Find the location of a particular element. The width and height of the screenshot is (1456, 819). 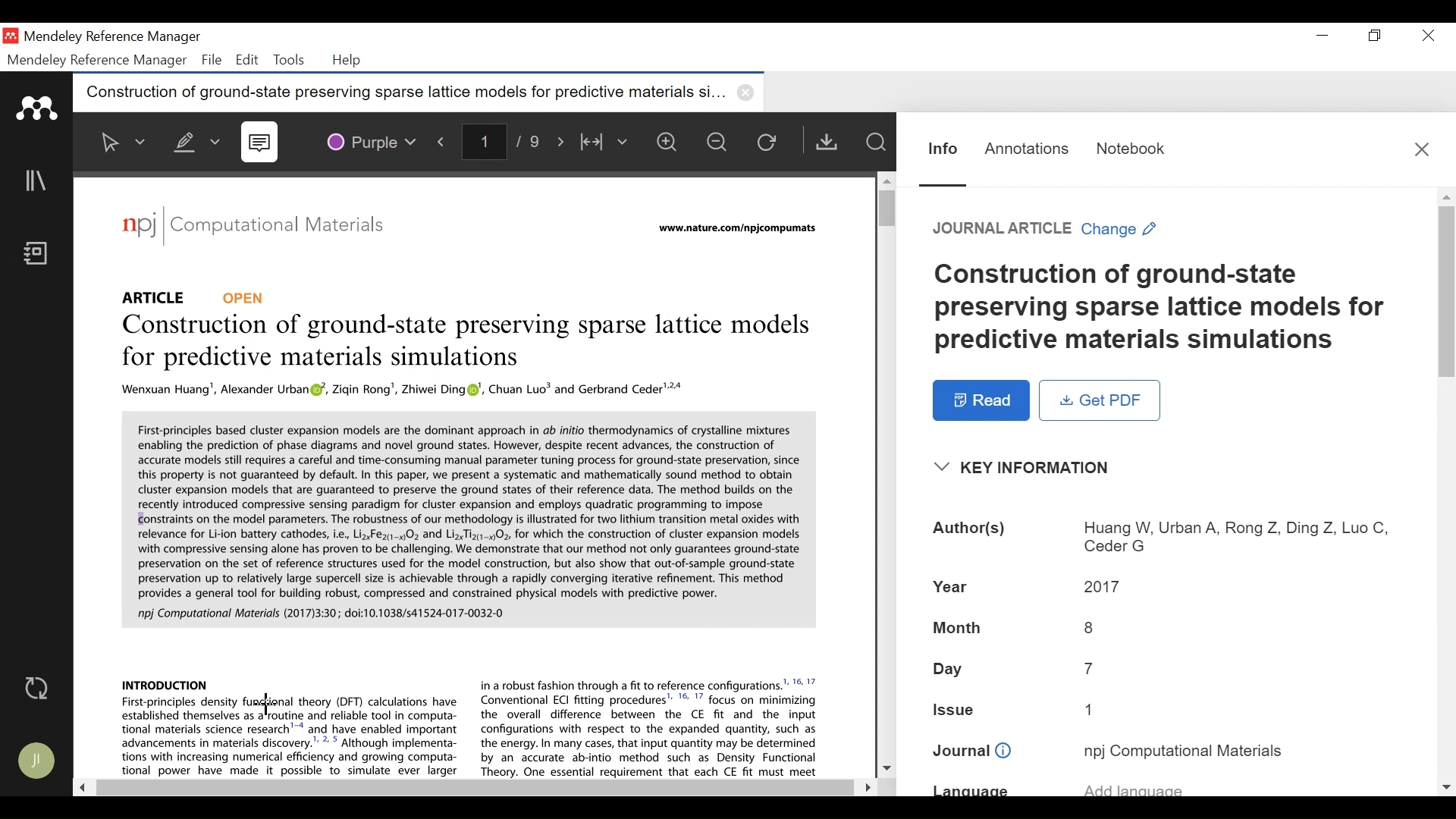

Notebook is located at coordinates (39, 255).